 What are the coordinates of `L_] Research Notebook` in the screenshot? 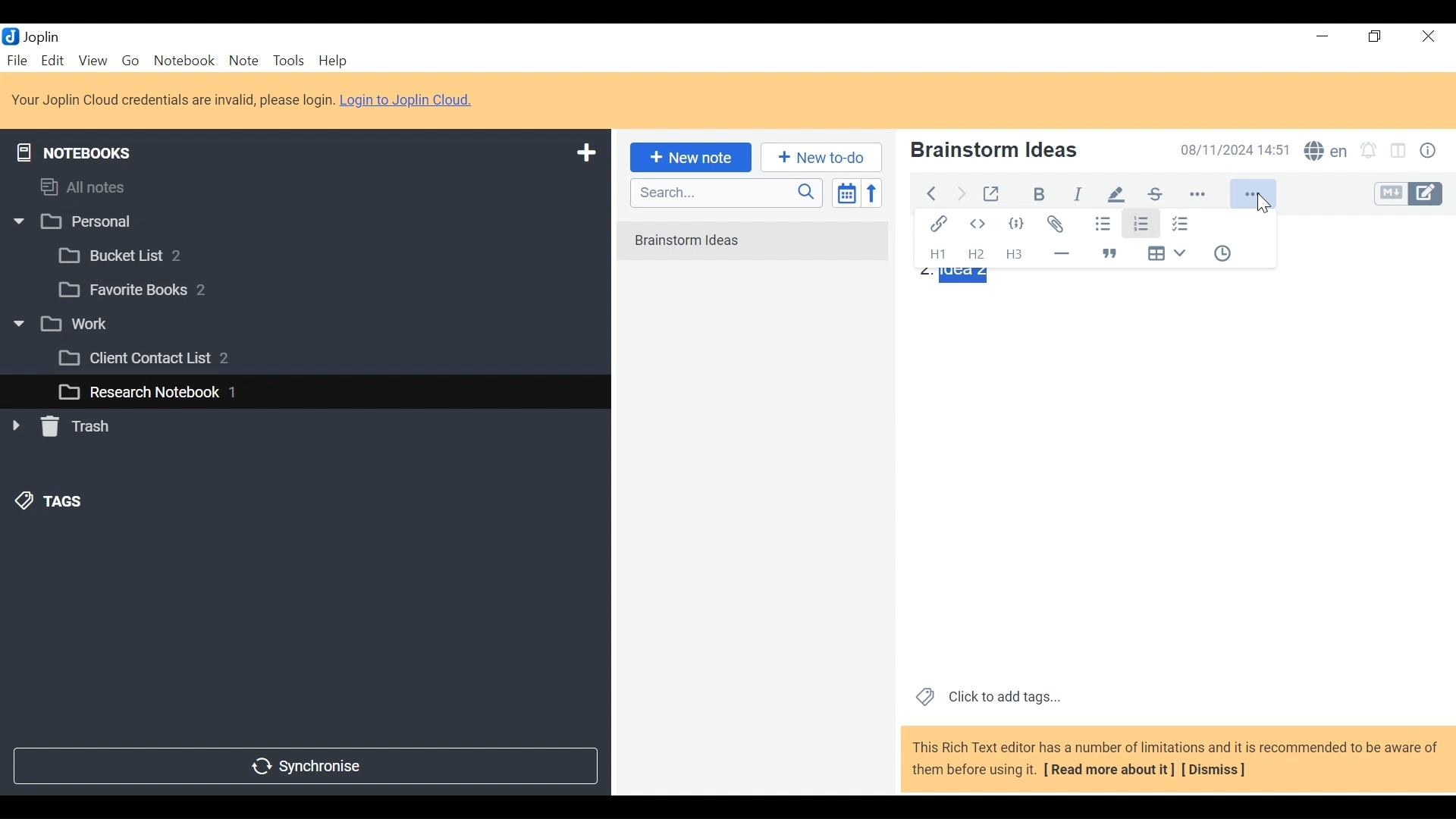 It's located at (138, 393).